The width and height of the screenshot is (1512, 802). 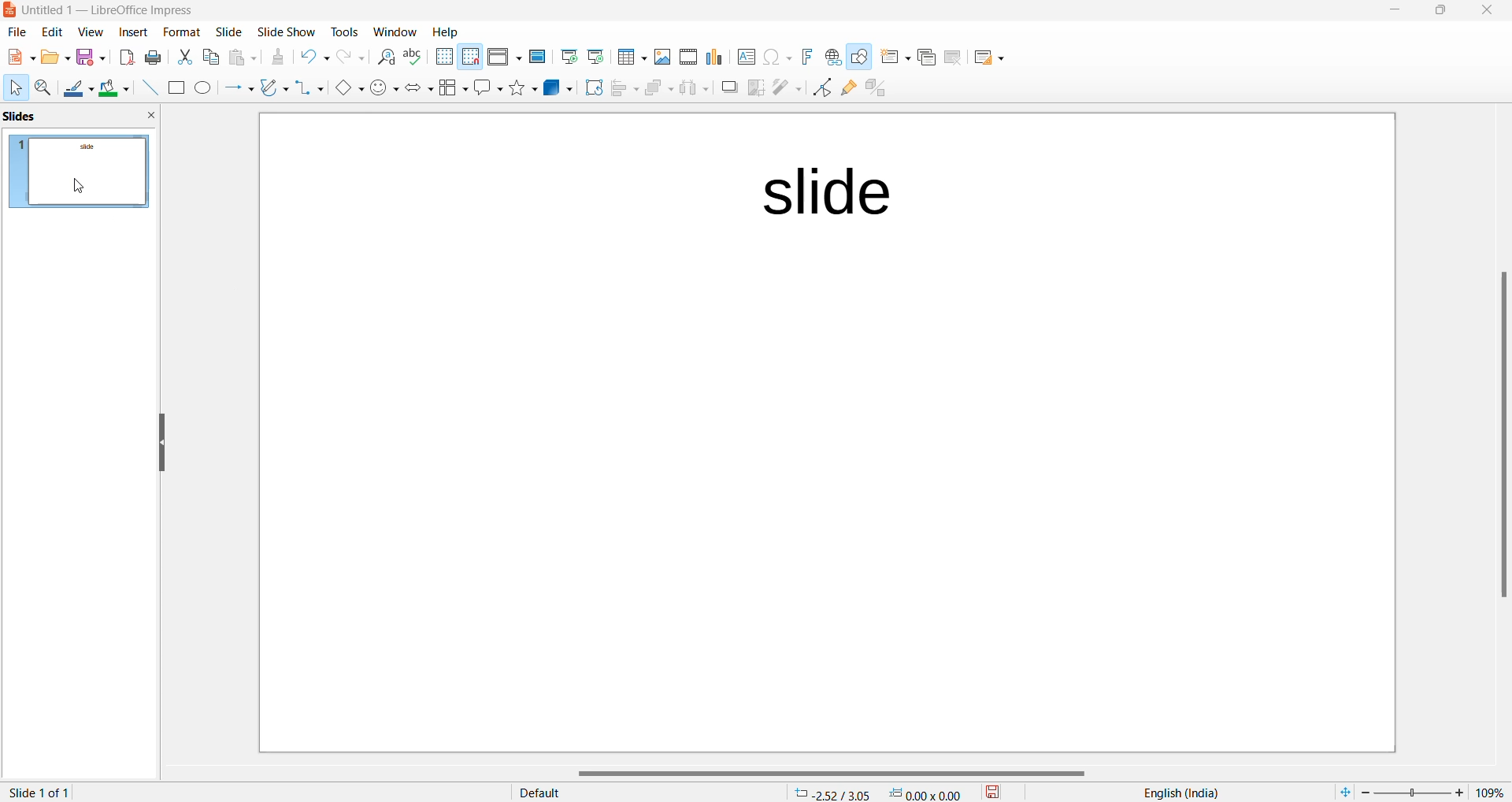 What do you see at coordinates (663, 56) in the screenshot?
I see `insert image` at bounding box center [663, 56].